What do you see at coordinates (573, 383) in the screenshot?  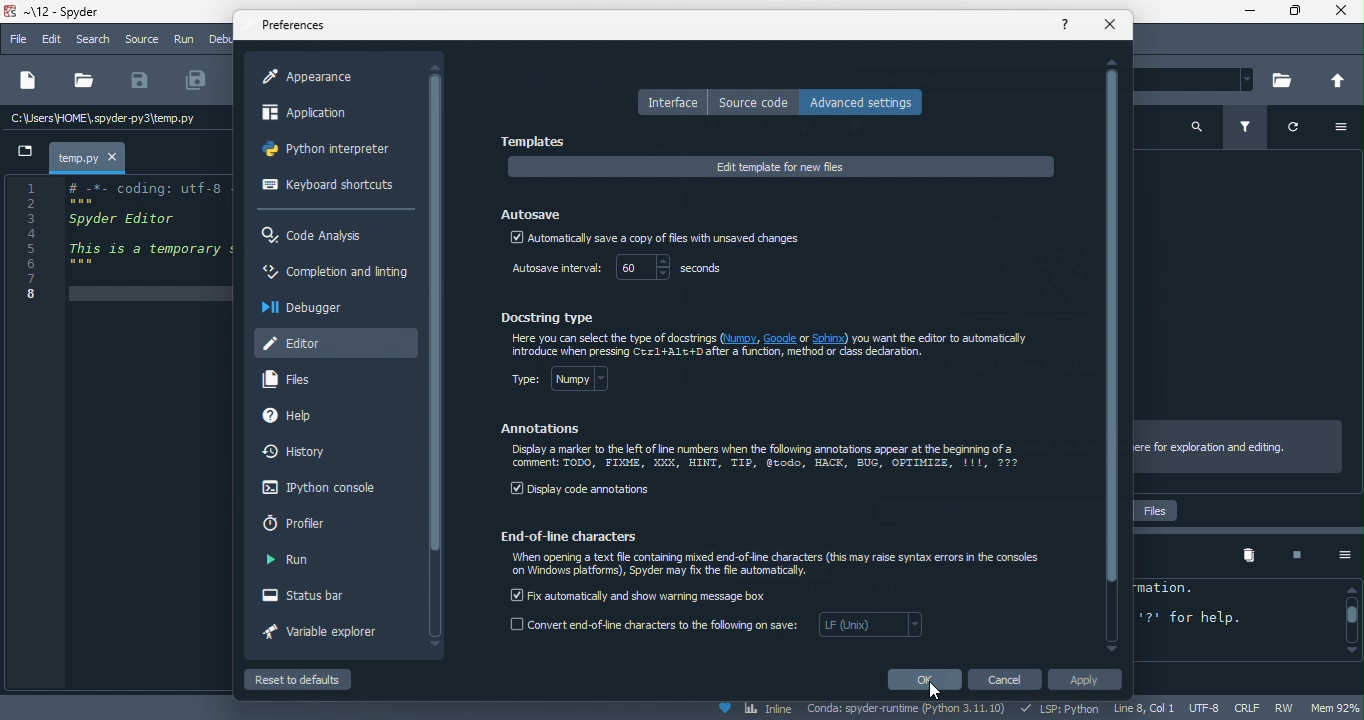 I see `type` at bounding box center [573, 383].